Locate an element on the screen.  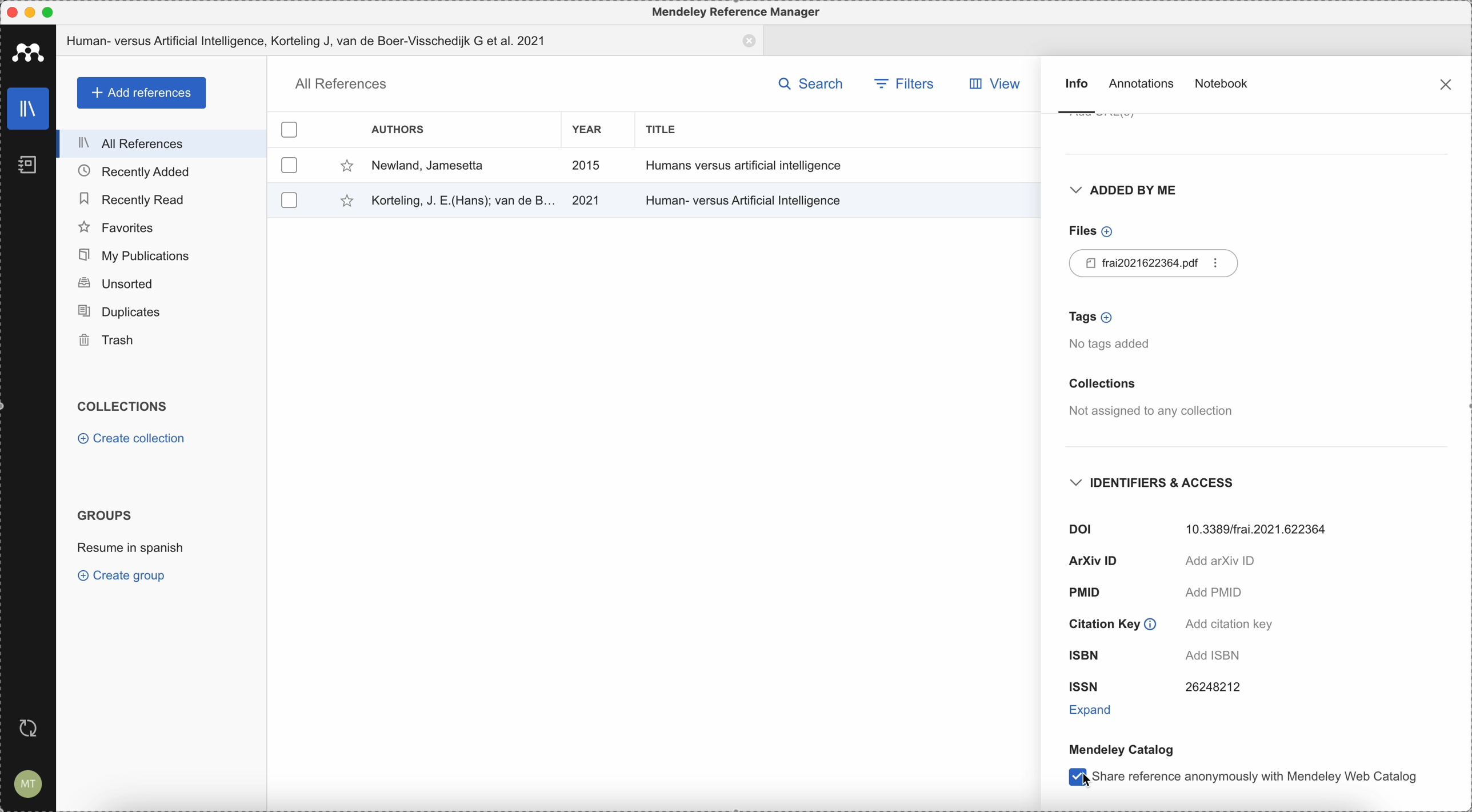
collections is located at coordinates (127, 407).